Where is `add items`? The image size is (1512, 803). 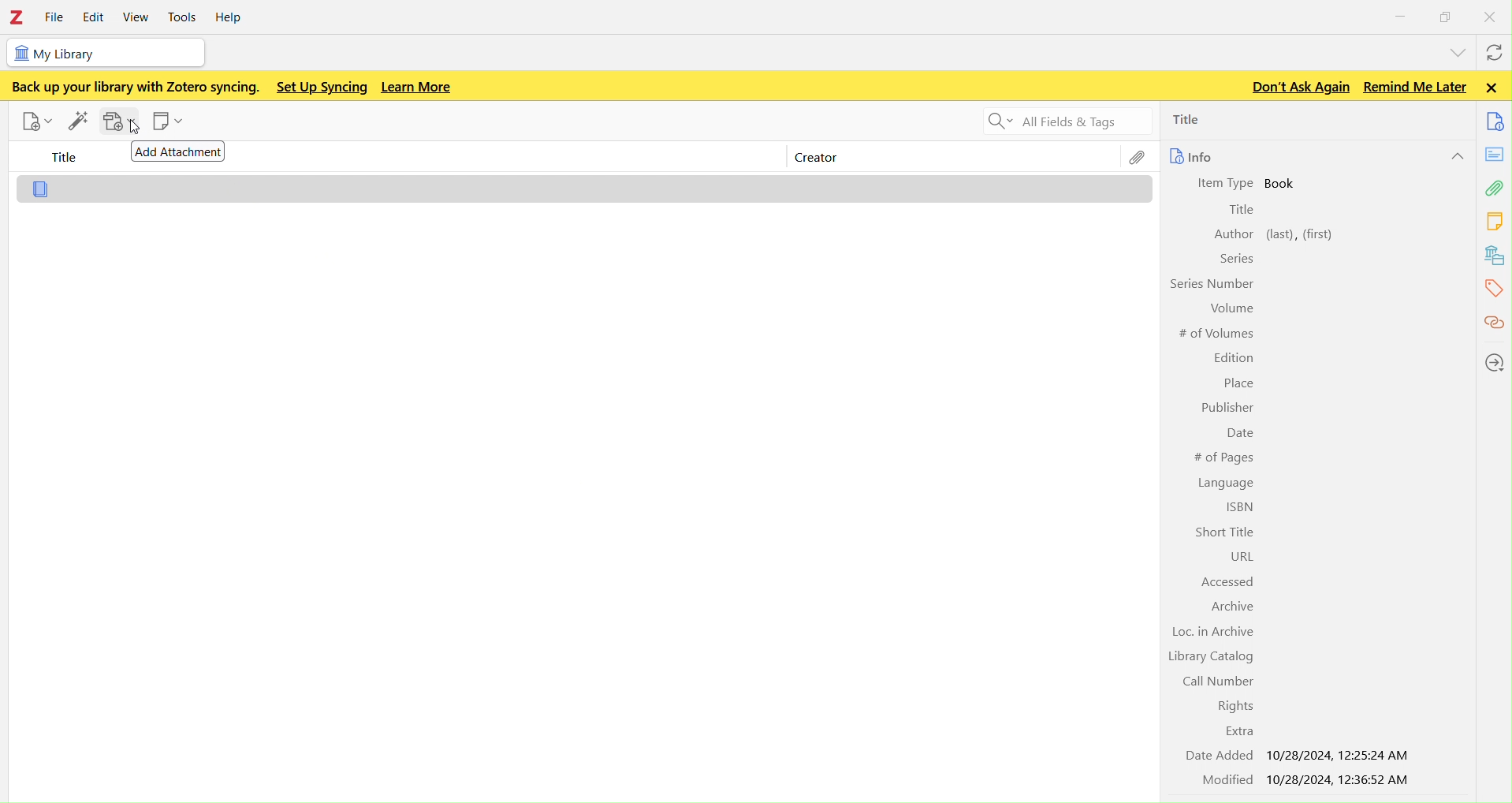
add items is located at coordinates (78, 121).